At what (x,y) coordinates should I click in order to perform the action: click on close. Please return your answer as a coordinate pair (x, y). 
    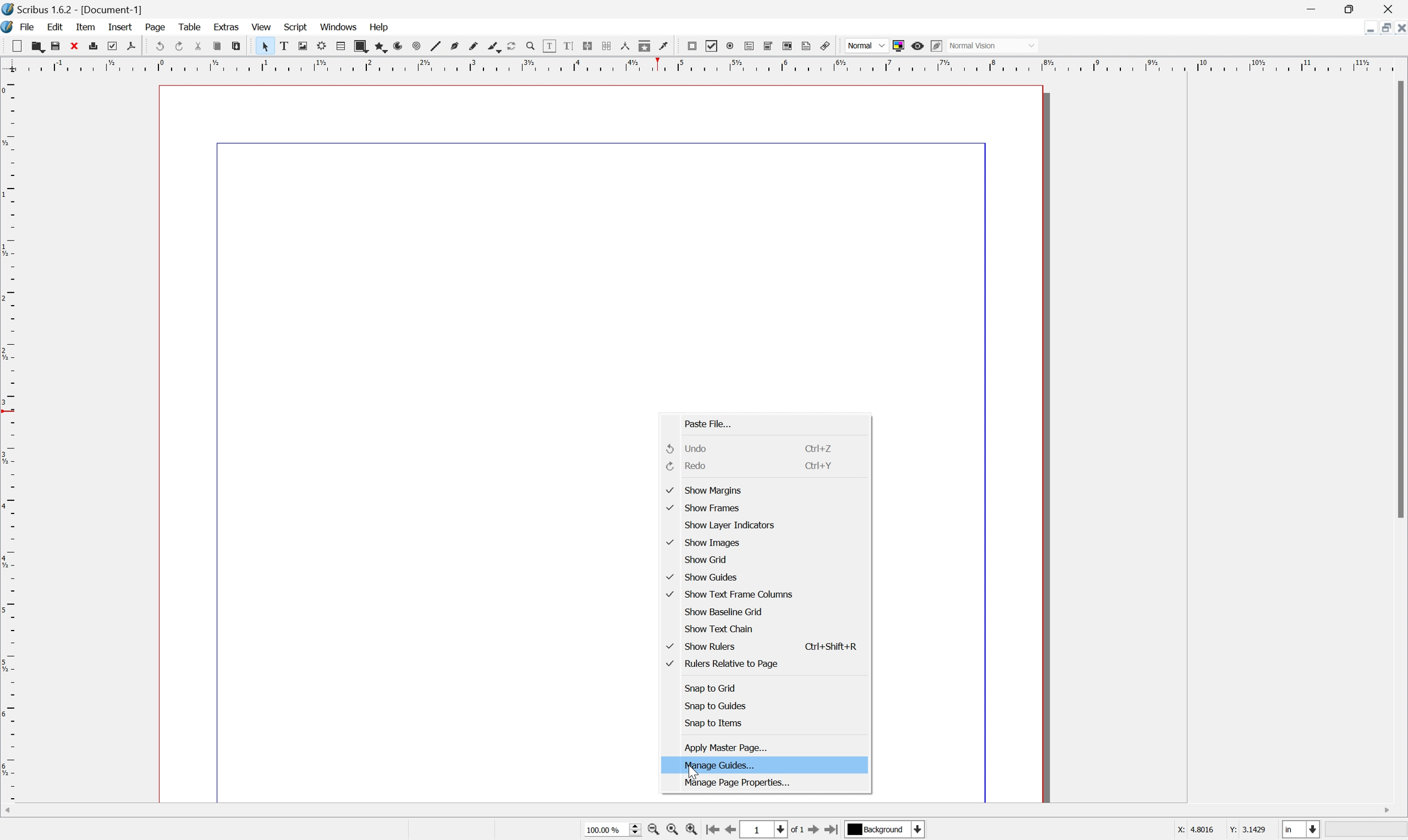
    Looking at the image, I should click on (76, 47).